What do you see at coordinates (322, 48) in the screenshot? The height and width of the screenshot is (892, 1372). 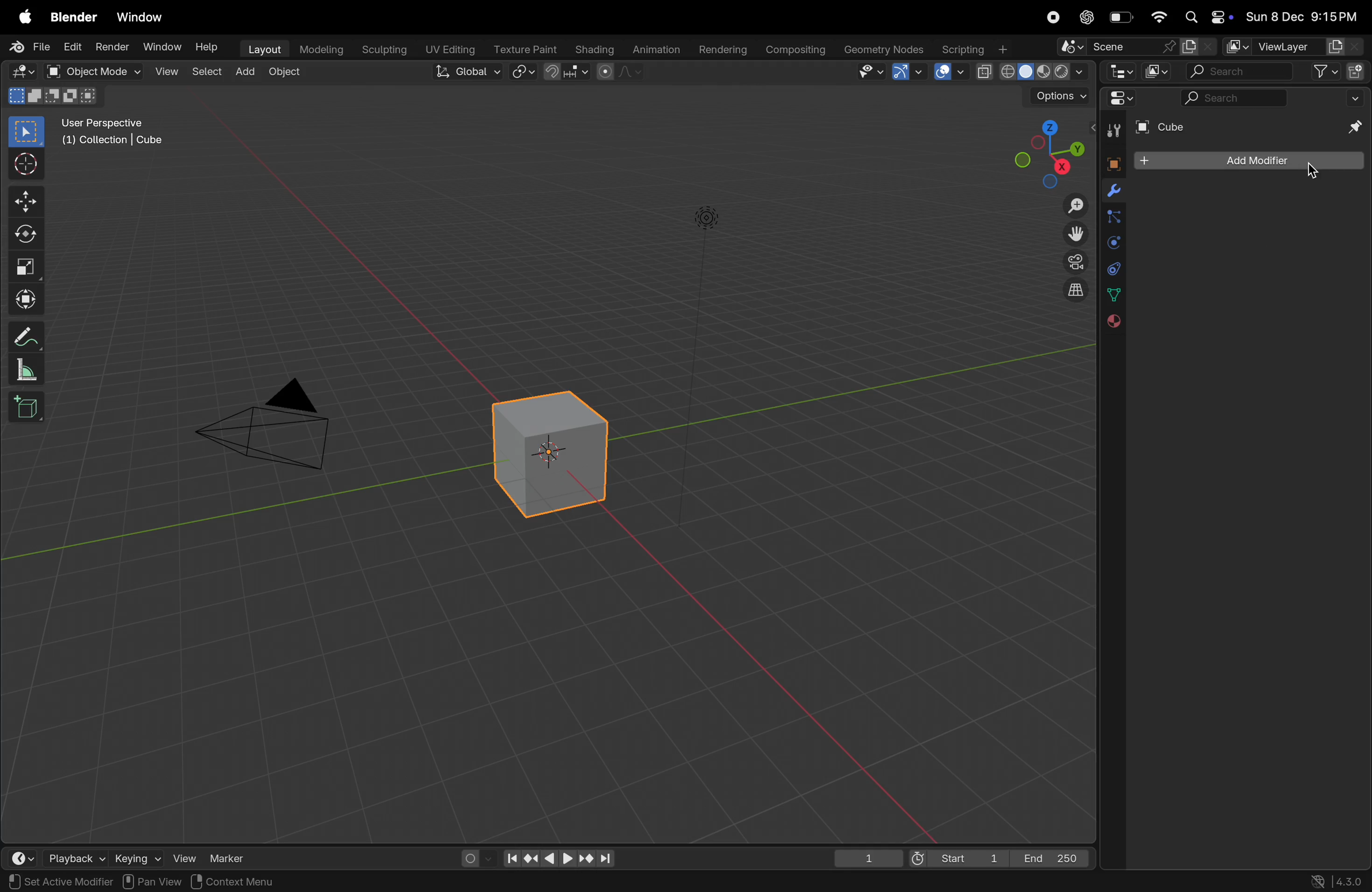 I see `modelling` at bounding box center [322, 48].